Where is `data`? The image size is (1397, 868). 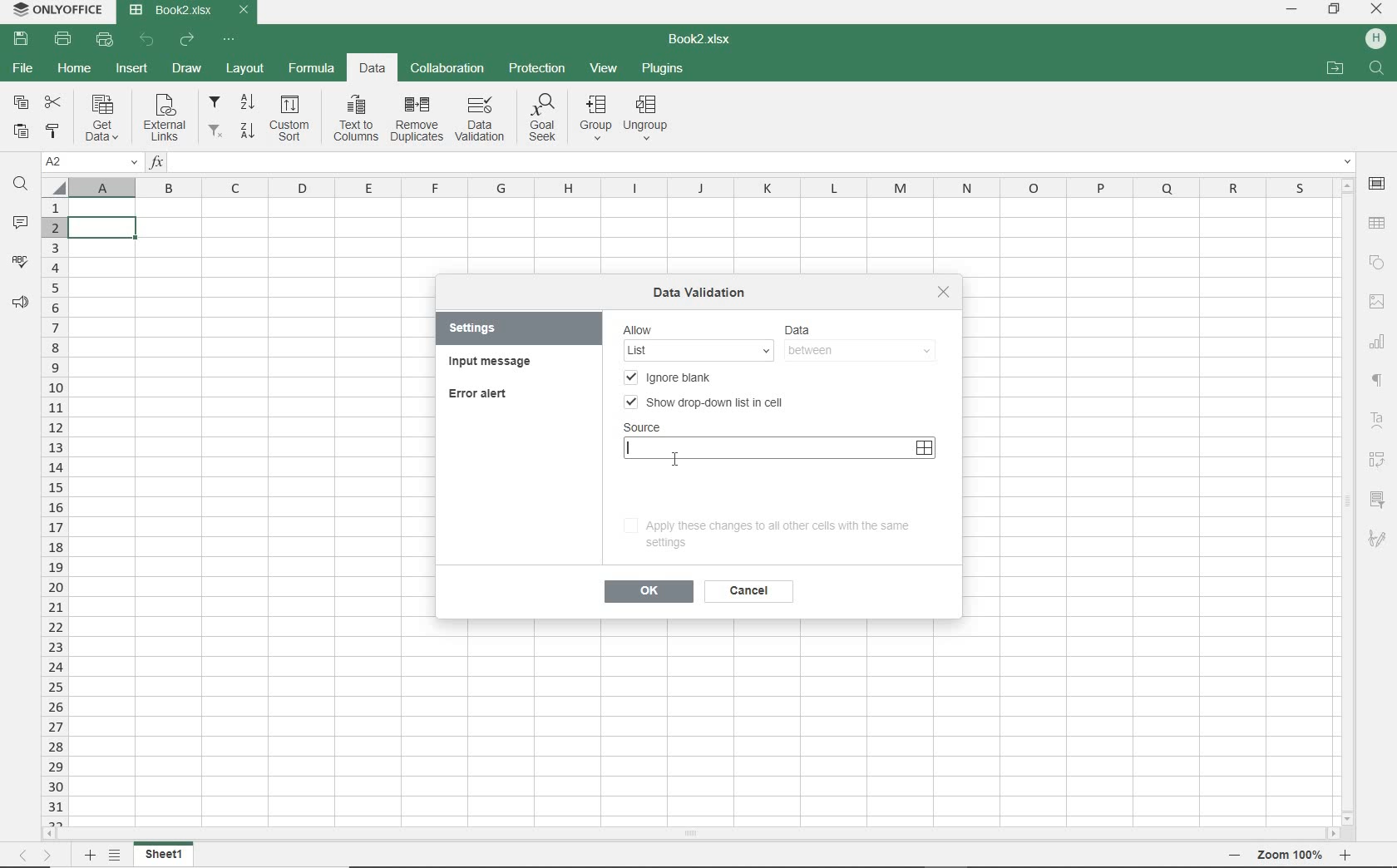 data is located at coordinates (817, 330).